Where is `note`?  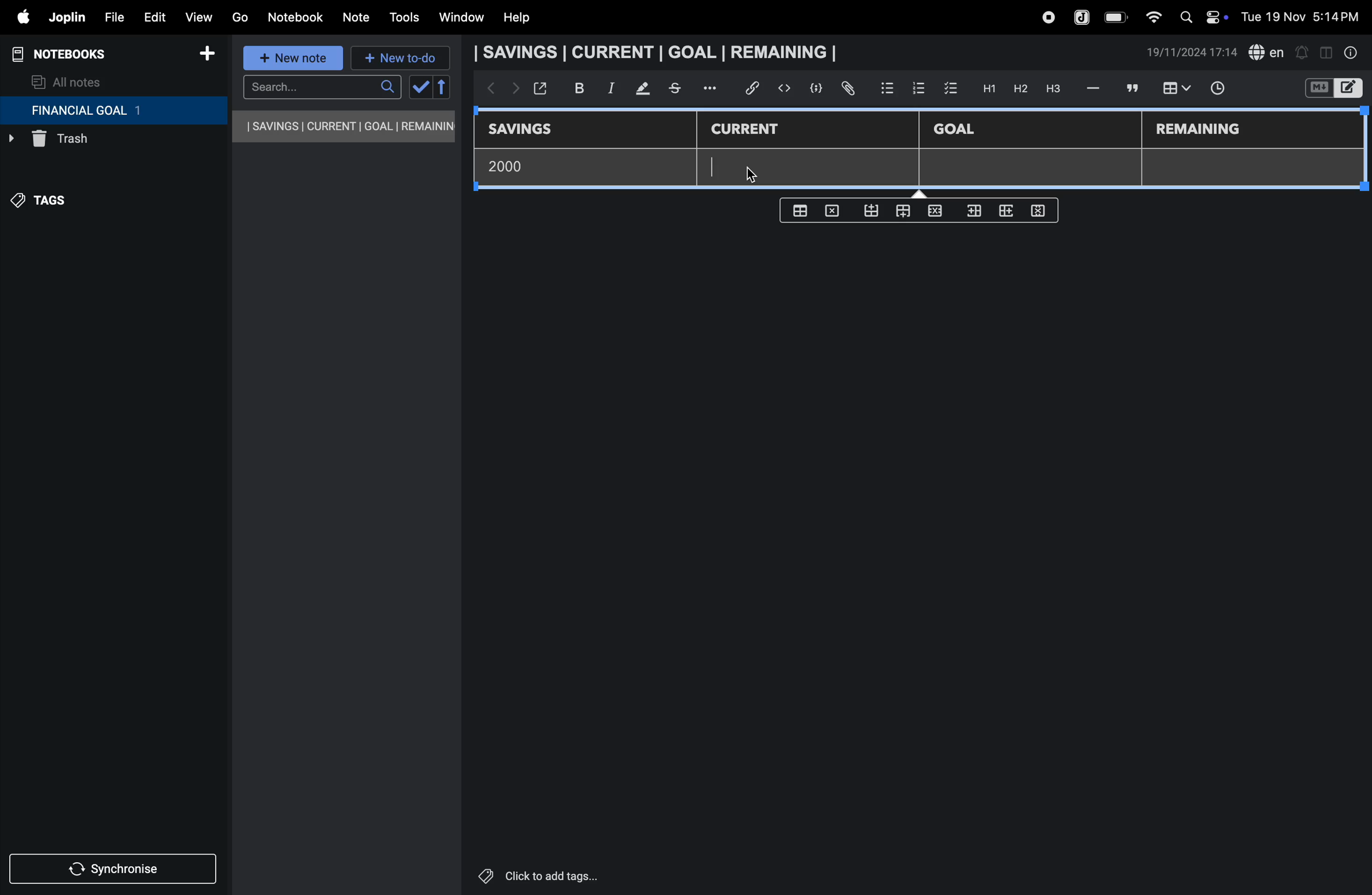
note is located at coordinates (358, 18).